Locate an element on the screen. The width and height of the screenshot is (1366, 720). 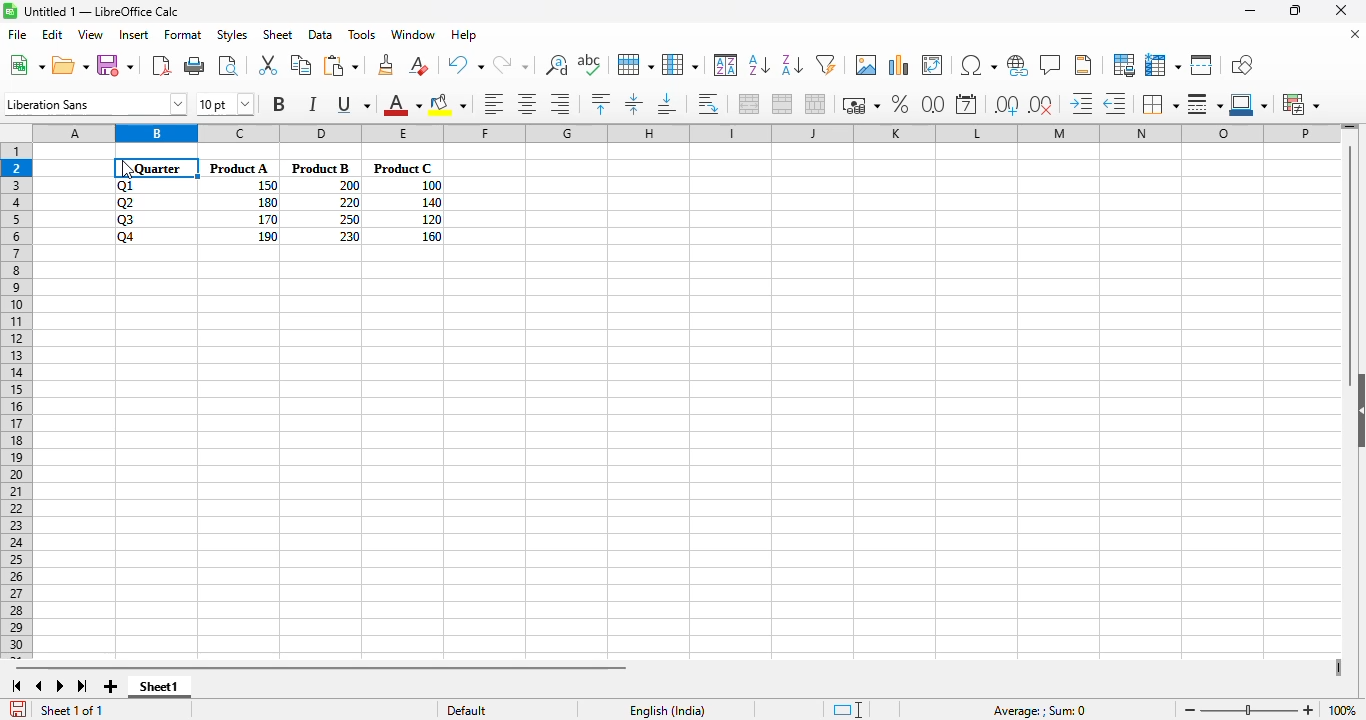
clear direct formatting is located at coordinates (419, 65).